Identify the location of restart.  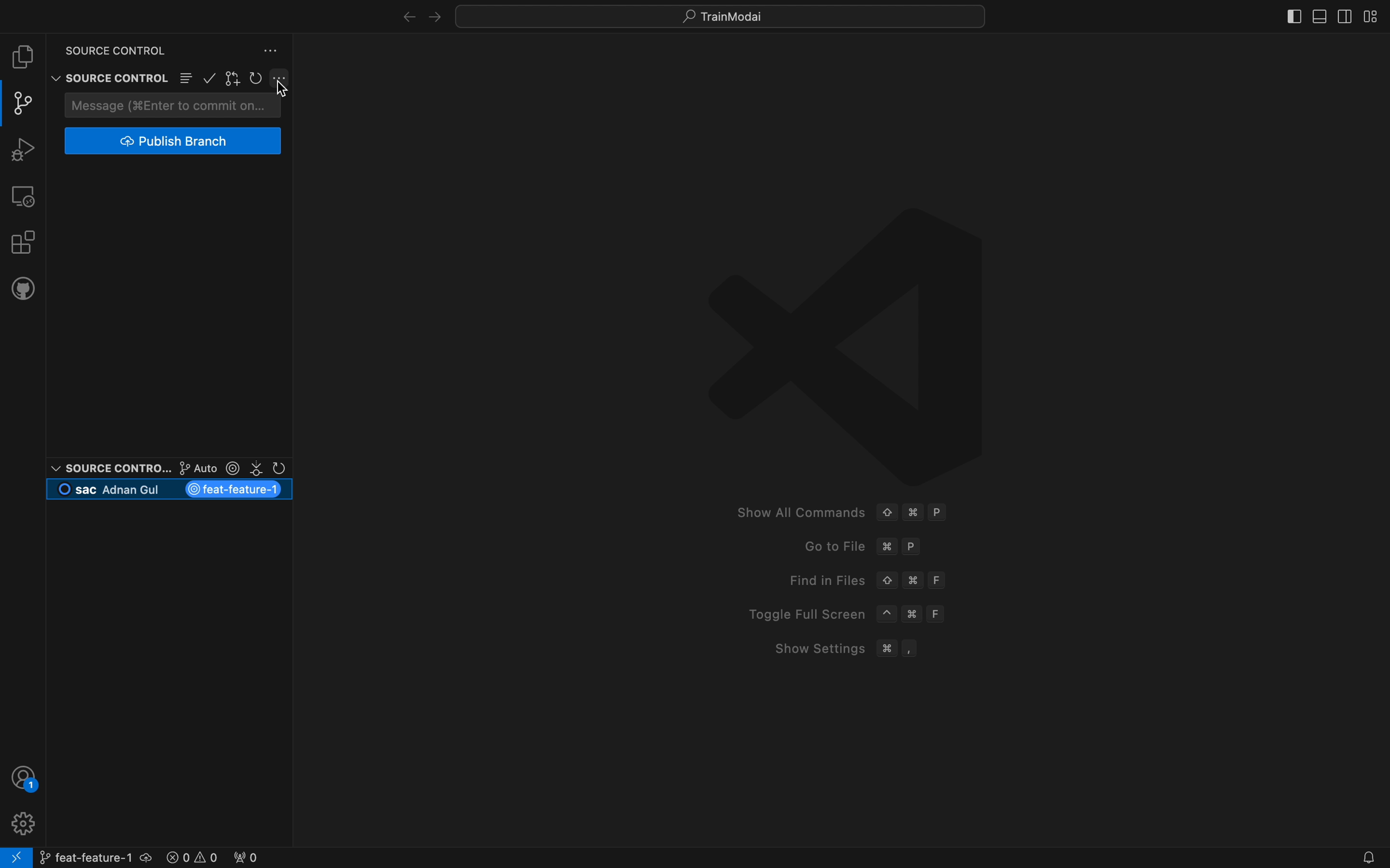
(257, 79).